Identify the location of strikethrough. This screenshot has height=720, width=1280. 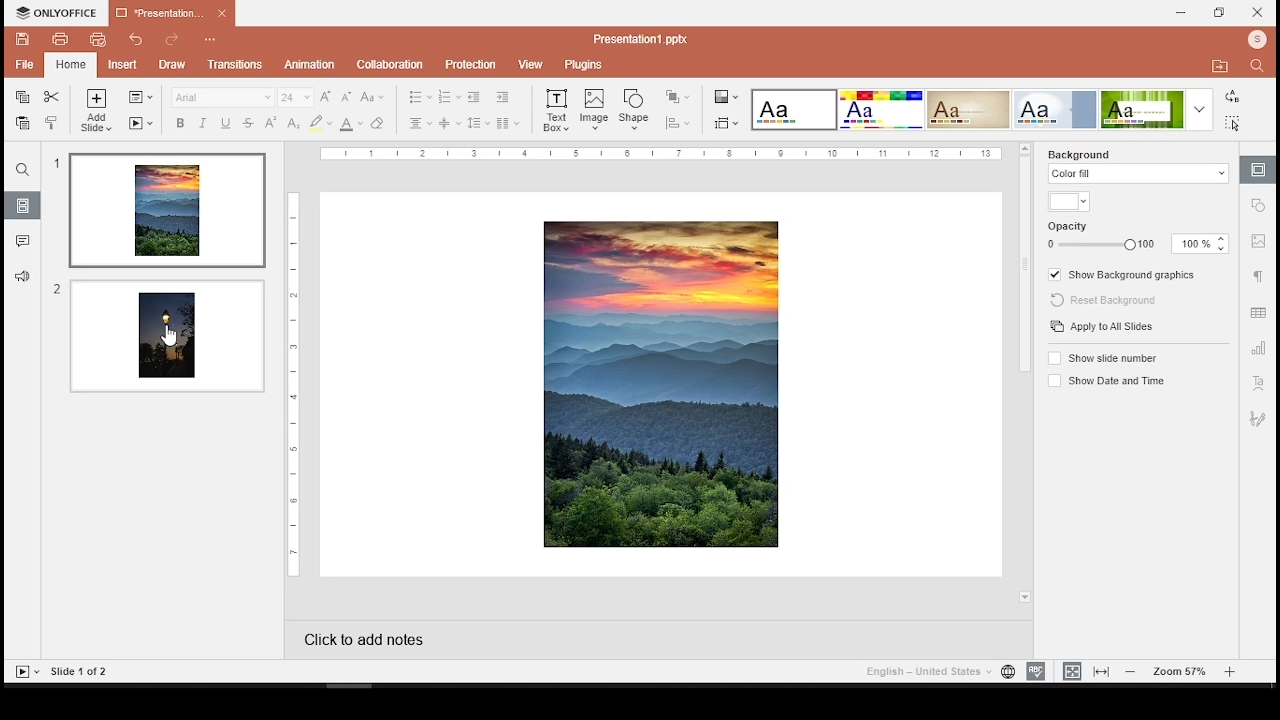
(248, 124).